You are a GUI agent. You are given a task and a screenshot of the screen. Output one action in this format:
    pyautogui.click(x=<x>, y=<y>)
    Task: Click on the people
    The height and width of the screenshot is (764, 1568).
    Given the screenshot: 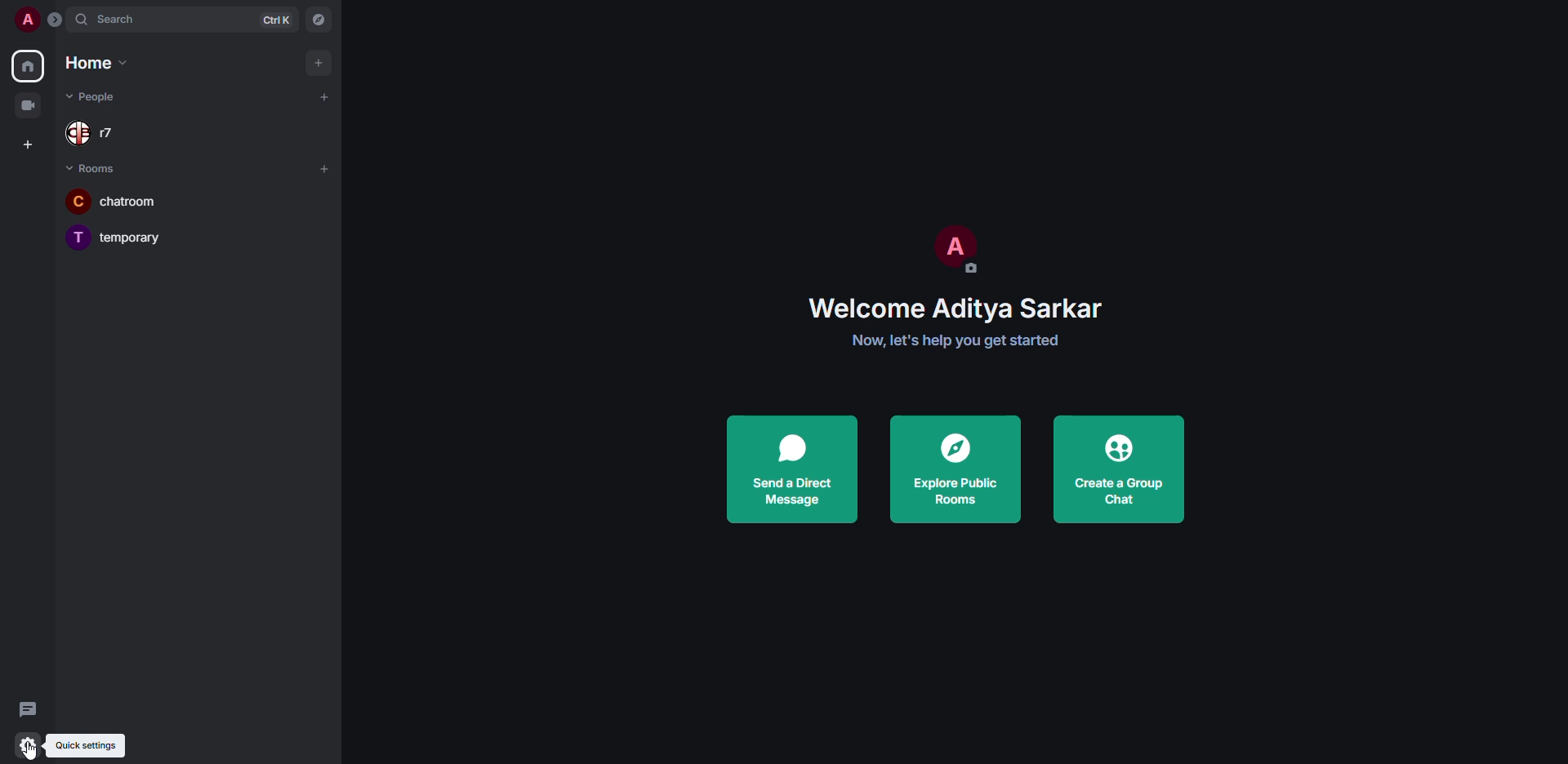 What is the action you would take?
    pyautogui.click(x=105, y=133)
    